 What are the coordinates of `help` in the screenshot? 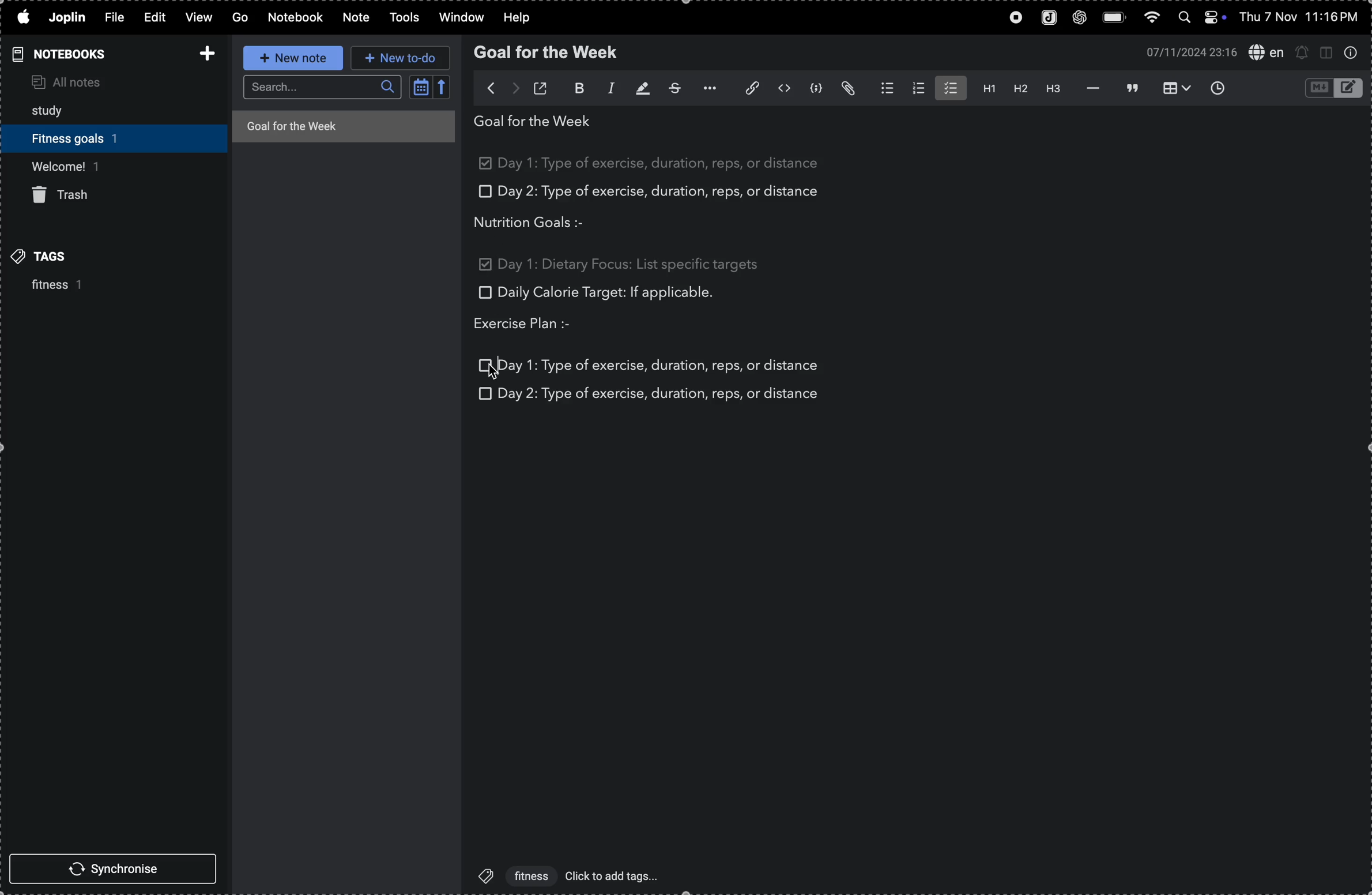 It's located at (517, 16).